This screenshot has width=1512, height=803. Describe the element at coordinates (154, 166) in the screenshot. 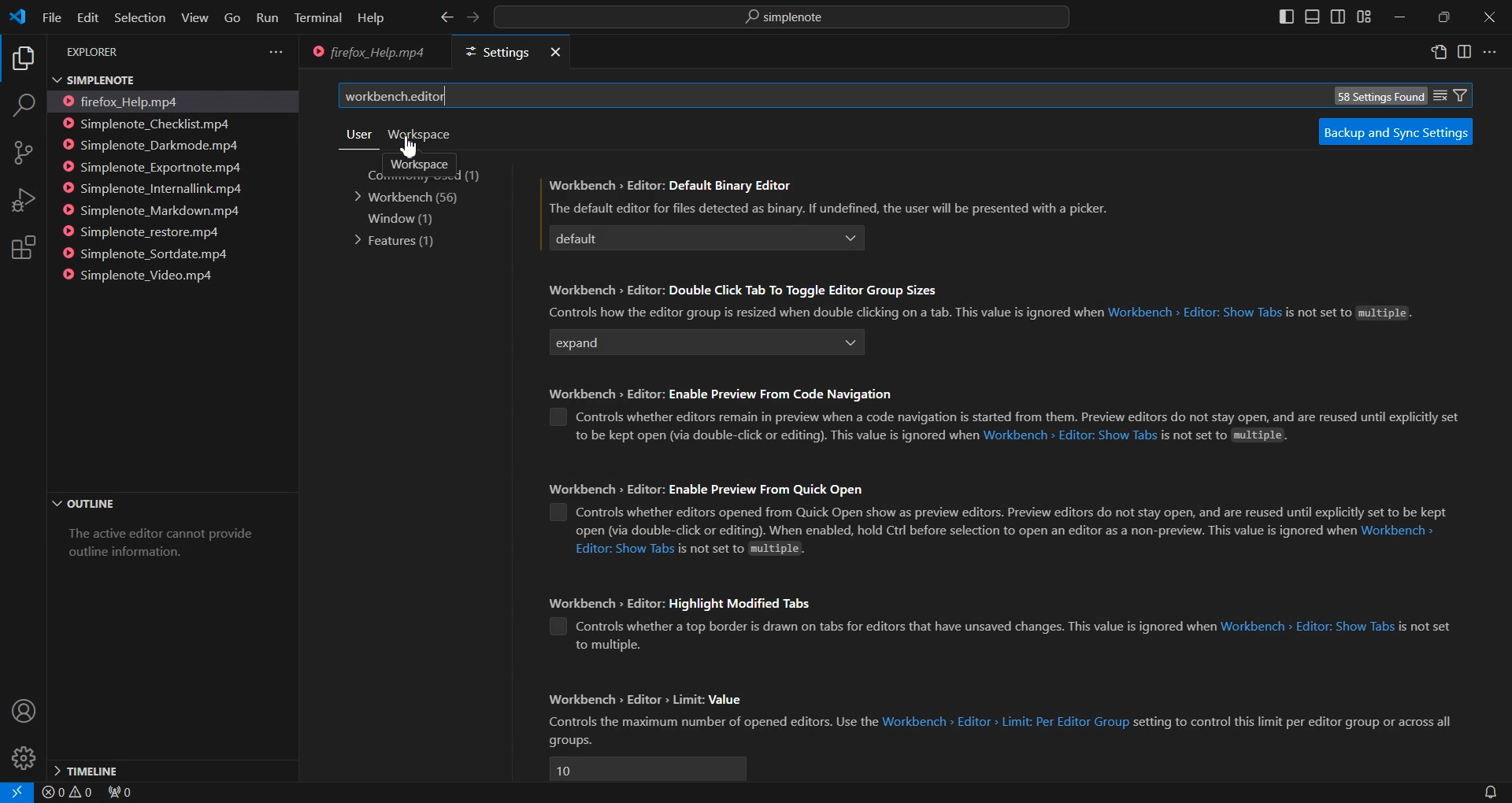

I see `Simplenote_Exportnote.mp4` at that location.